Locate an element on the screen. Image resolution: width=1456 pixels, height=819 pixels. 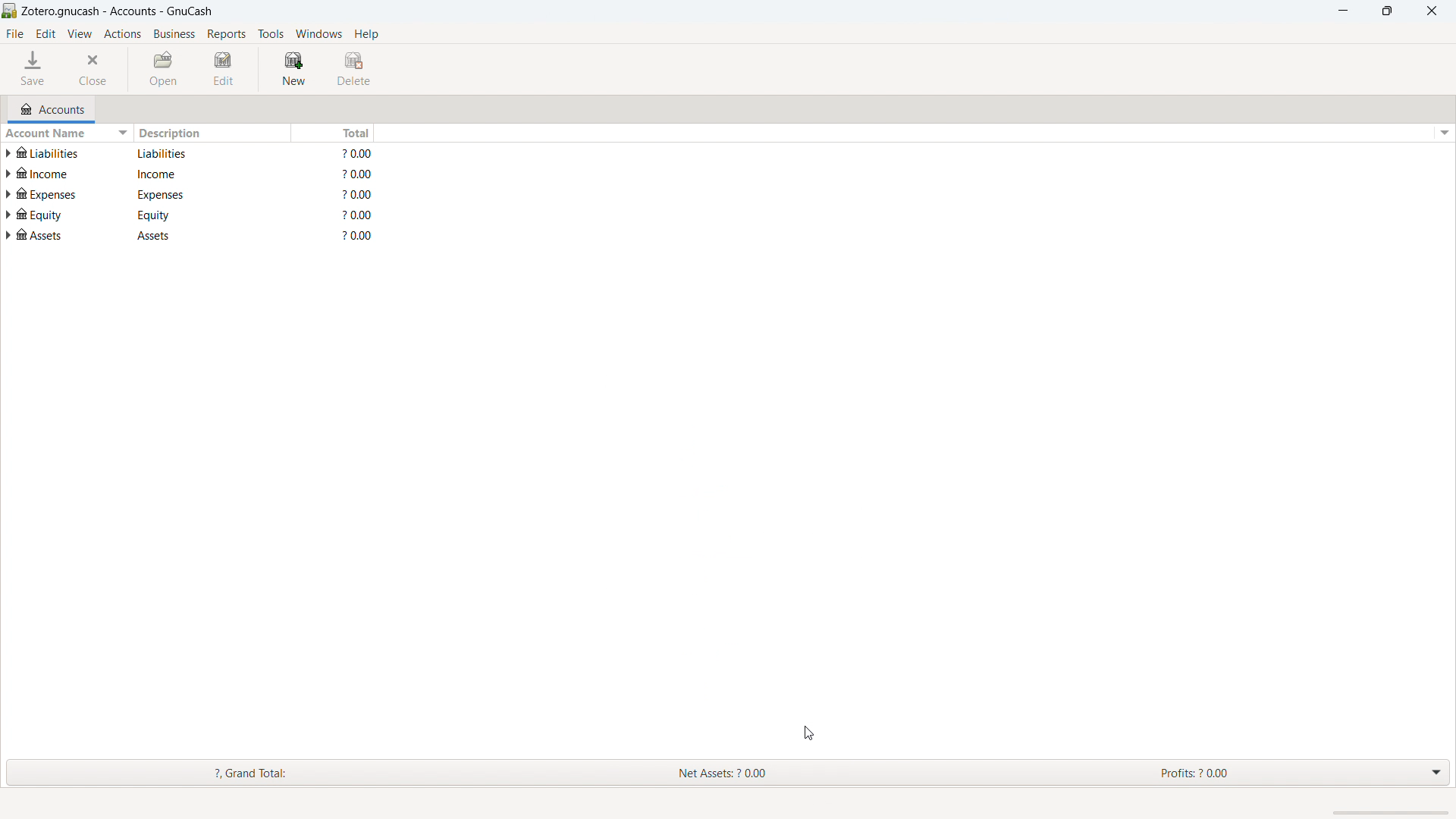
business is located at coordinates (174, 34).